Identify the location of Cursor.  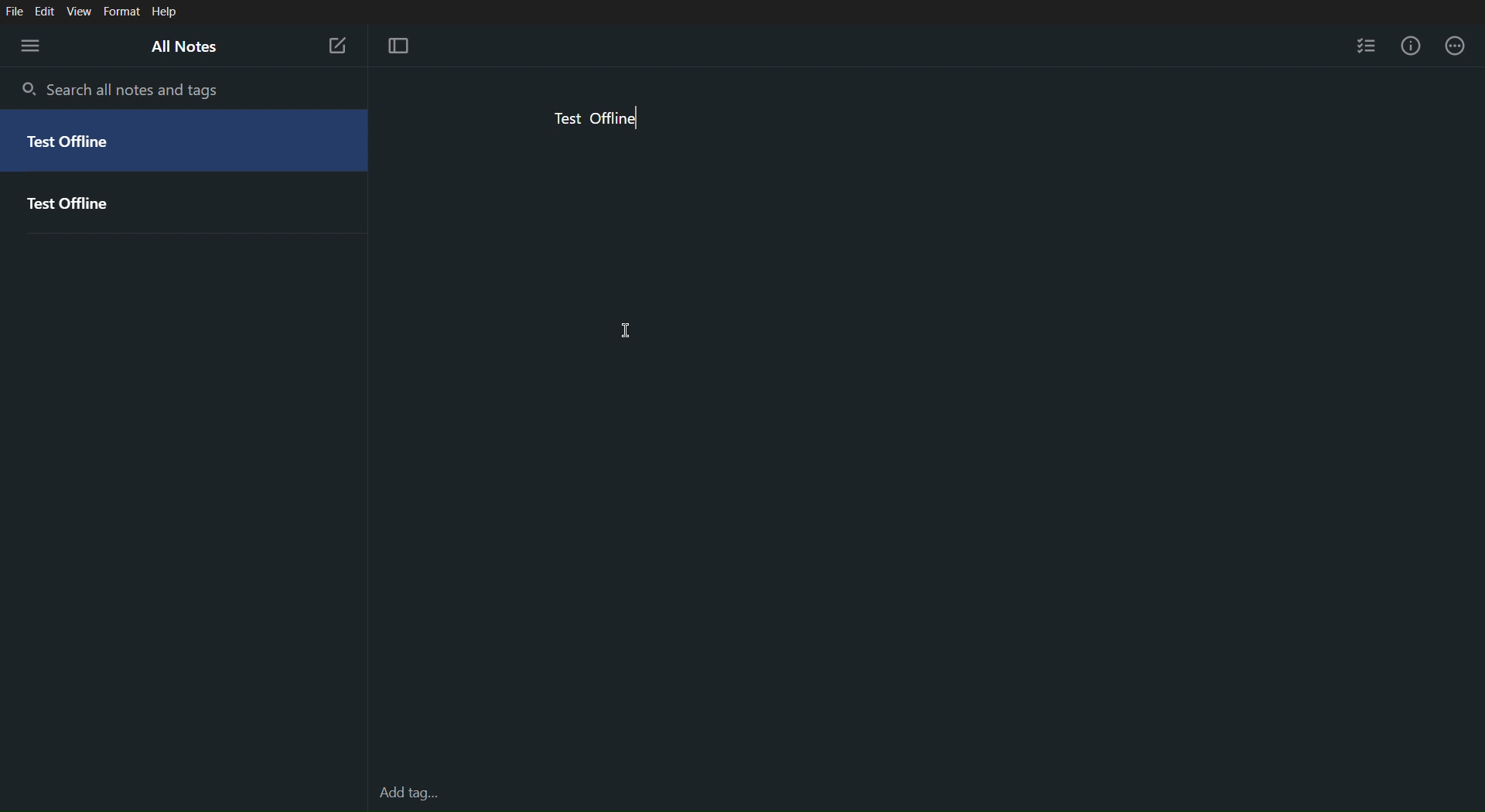
(626, 329).